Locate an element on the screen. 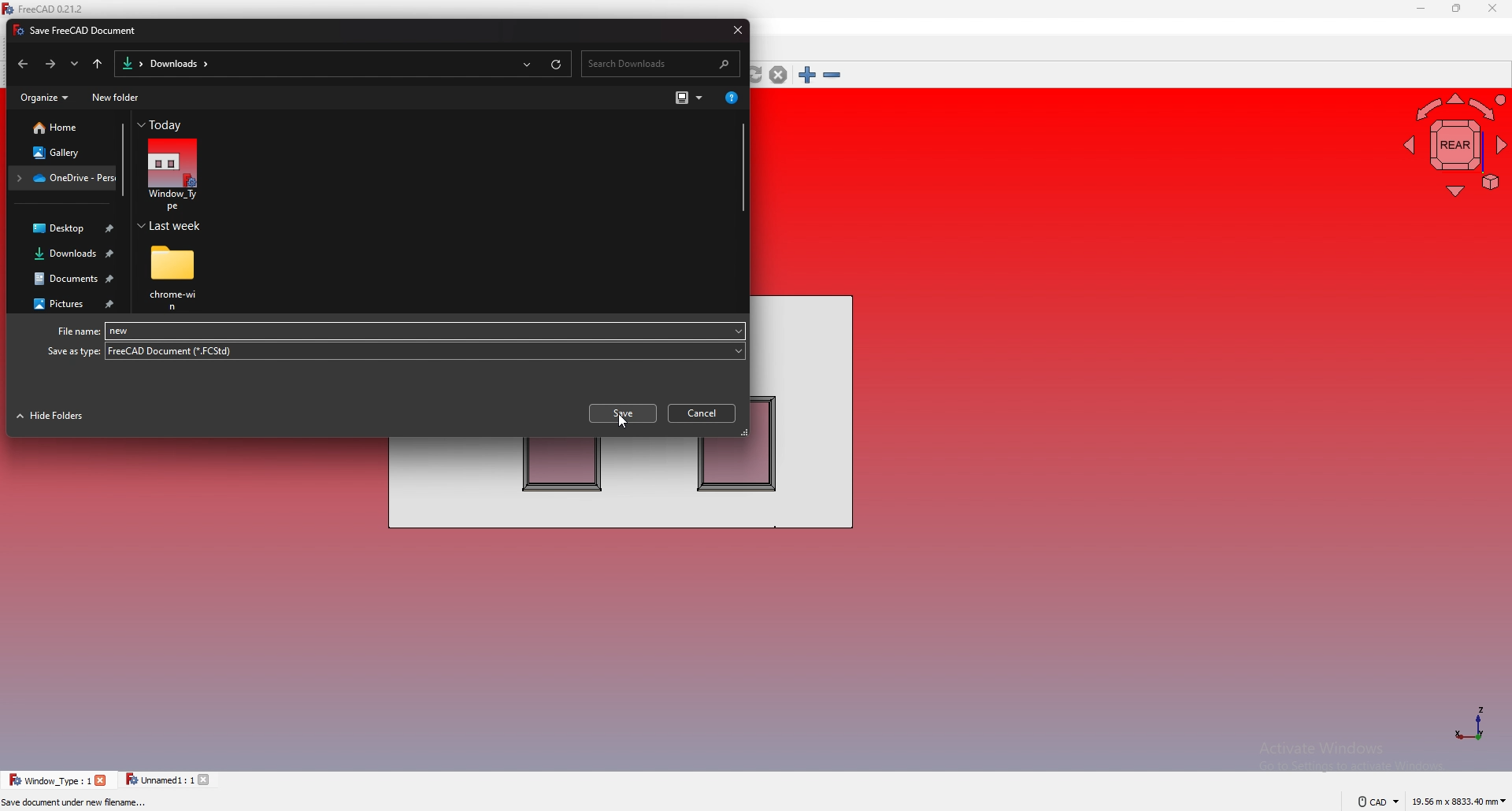 The width and height of the screenshot is (1512, 811). documents is located at coordinates (68, 279).